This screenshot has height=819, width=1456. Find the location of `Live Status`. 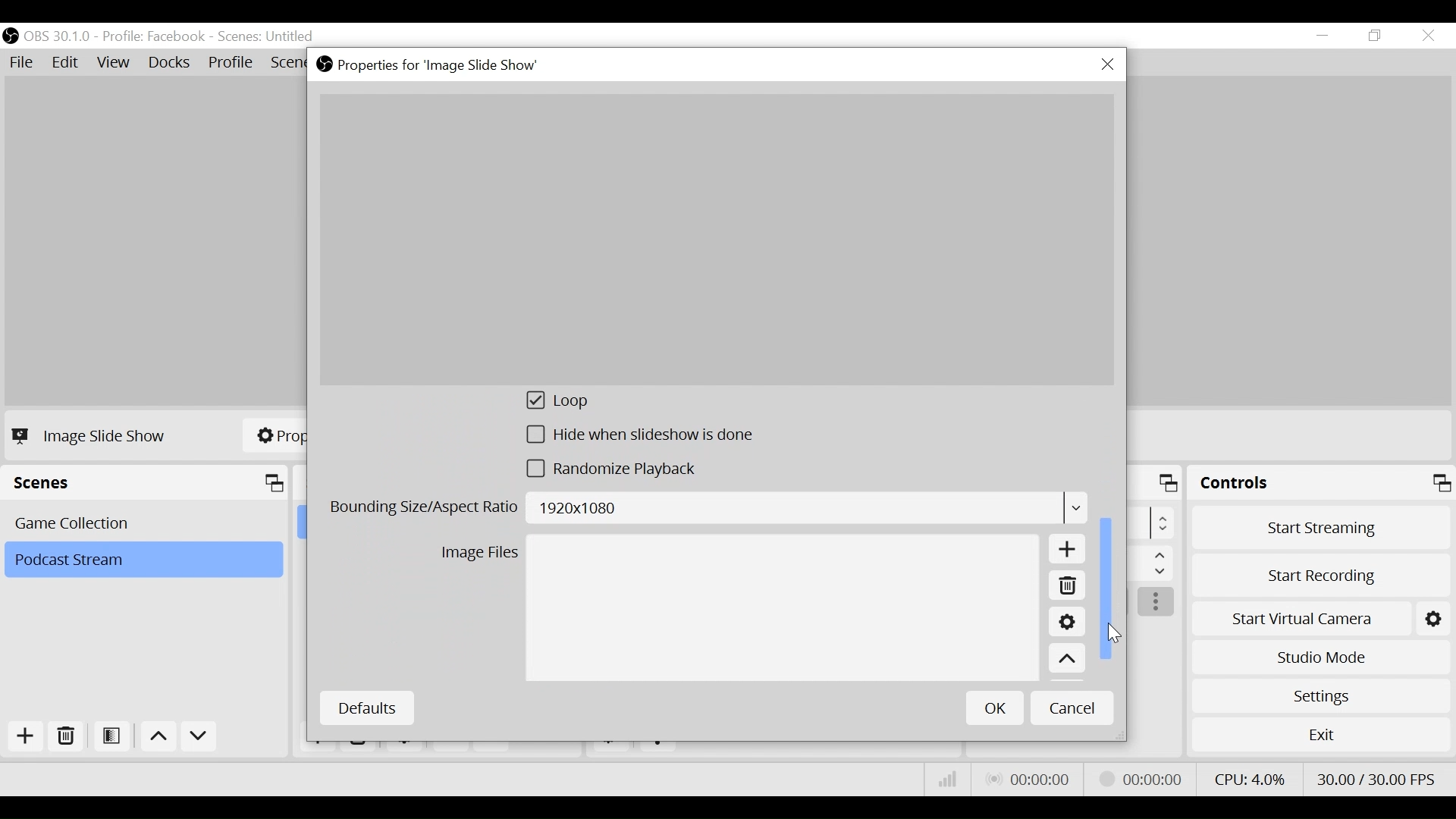

Live Status is located at coordinates (1027, 780).